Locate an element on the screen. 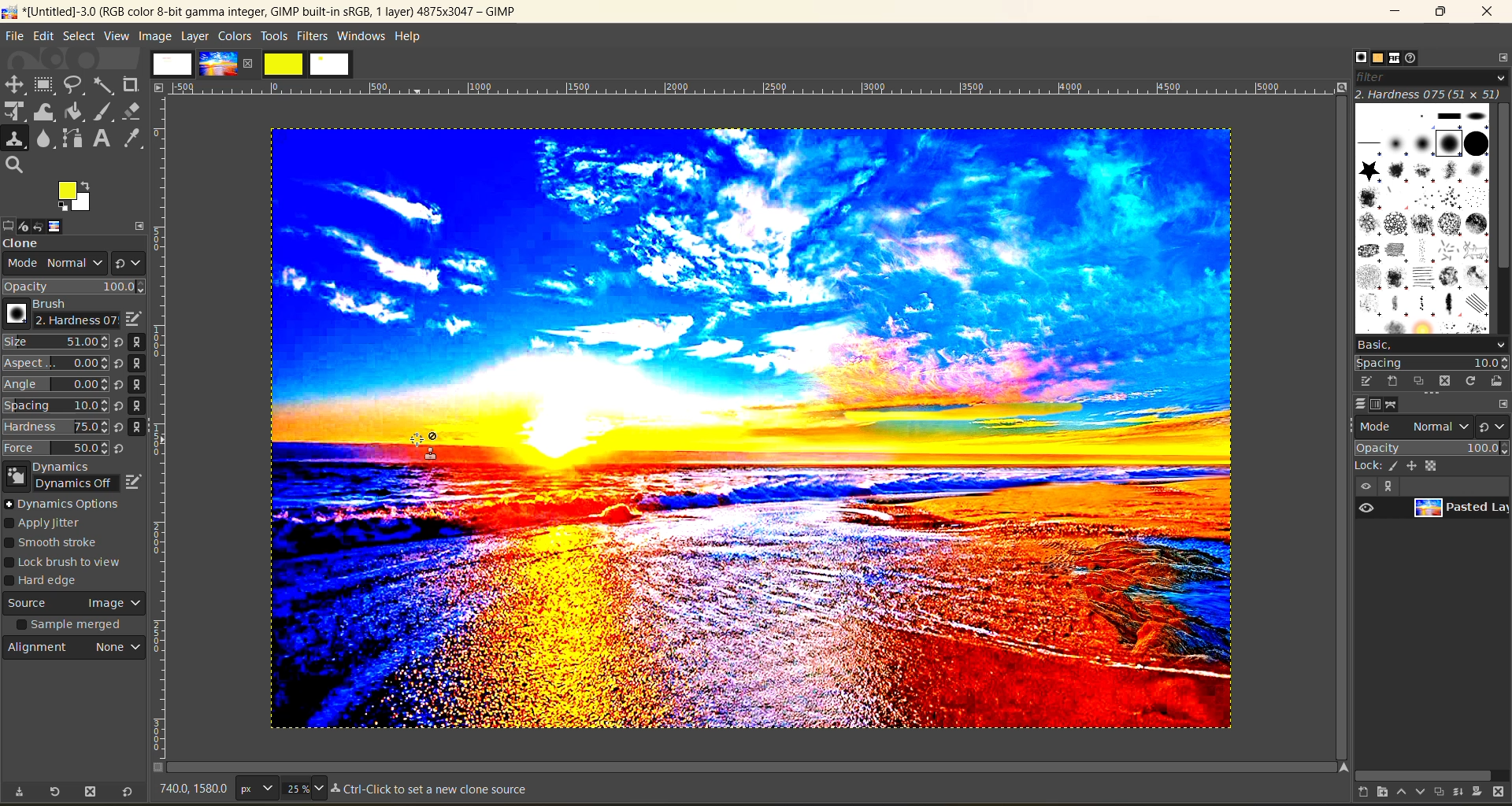 The height and width of the screenshot is (806, 1512). spacing is located at coordinates (1432, 363).